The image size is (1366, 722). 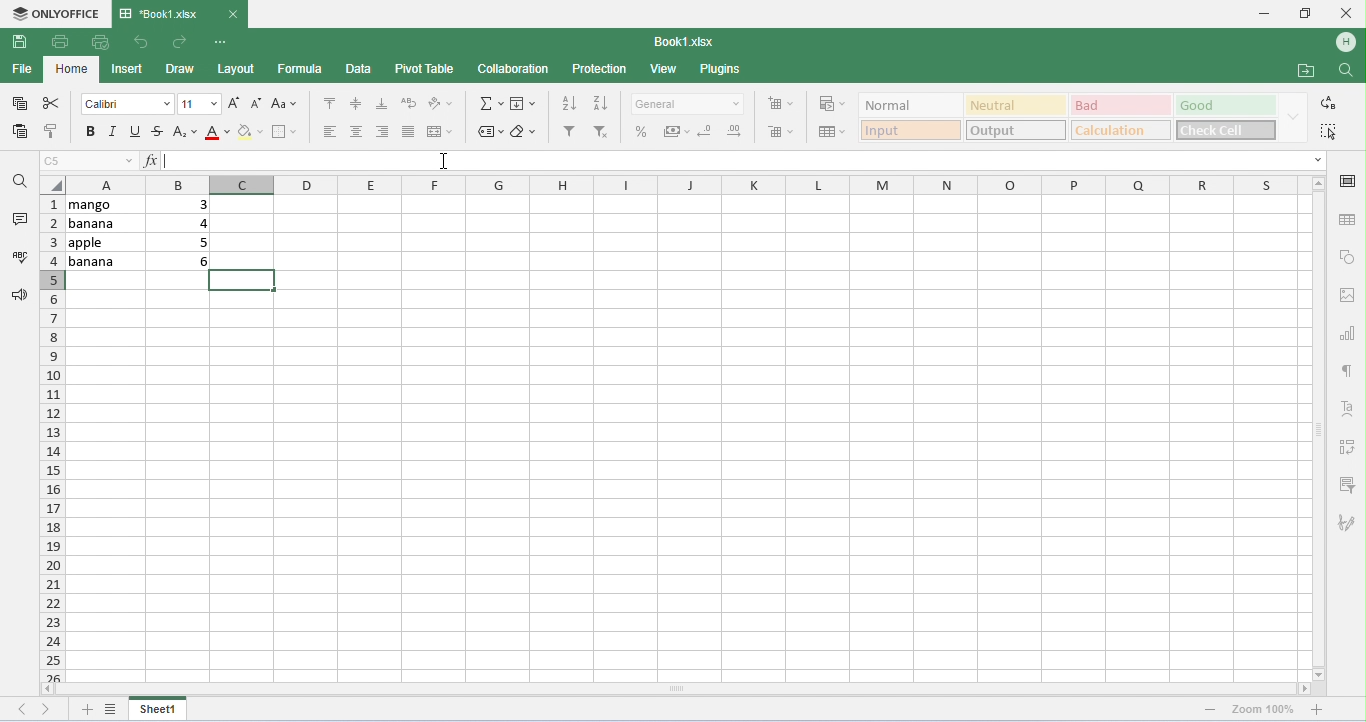 What do you see at coordinates (128, 105) in the screenshot?
I see `font style` at bounding box center [128, 105].